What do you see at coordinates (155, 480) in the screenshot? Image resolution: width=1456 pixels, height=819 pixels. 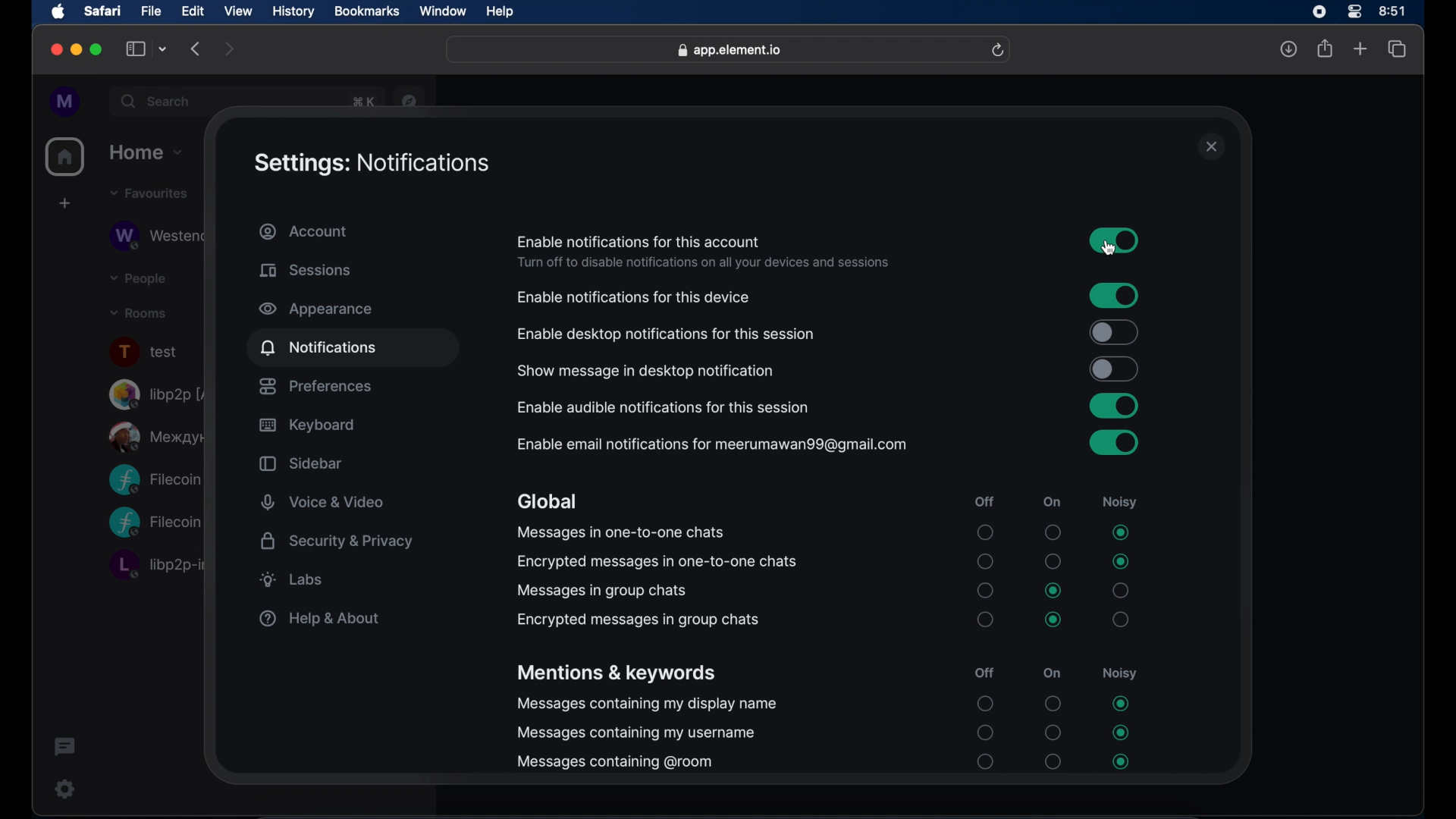 I see `Filecoin` at bounding box center [155, 480].